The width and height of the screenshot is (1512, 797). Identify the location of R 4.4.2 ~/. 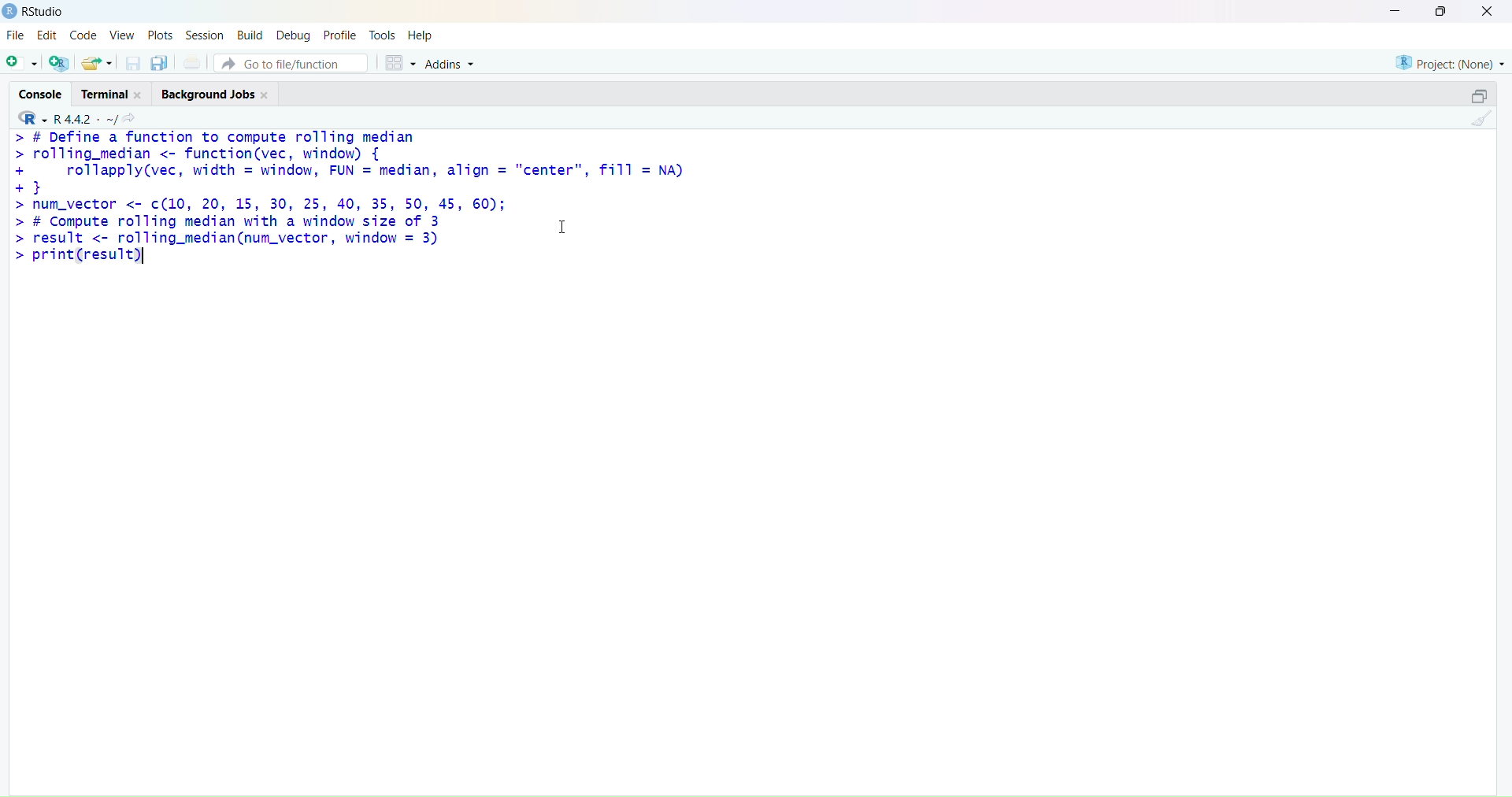
(85, 119).